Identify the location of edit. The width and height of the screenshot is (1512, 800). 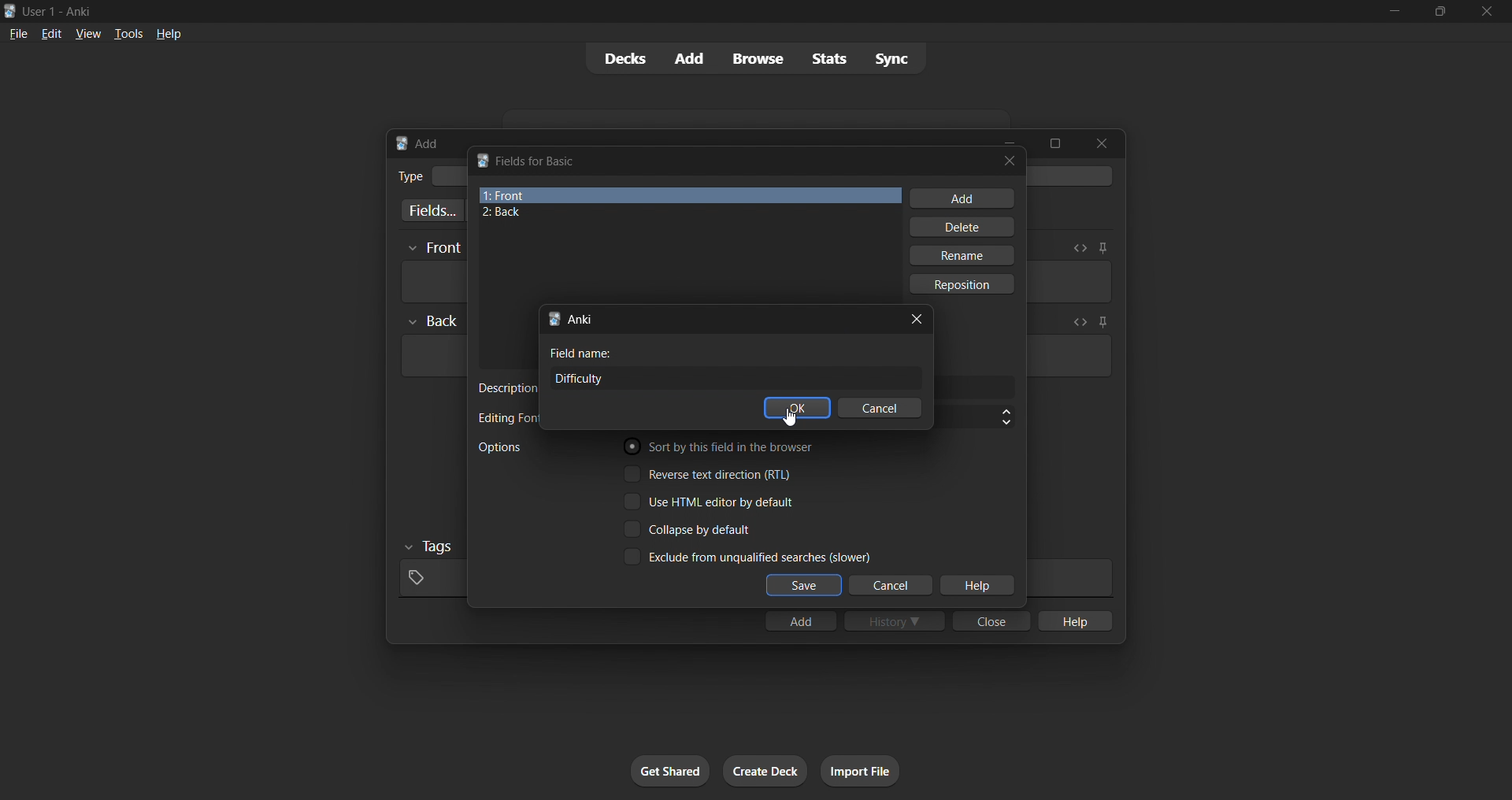
(52, 33).